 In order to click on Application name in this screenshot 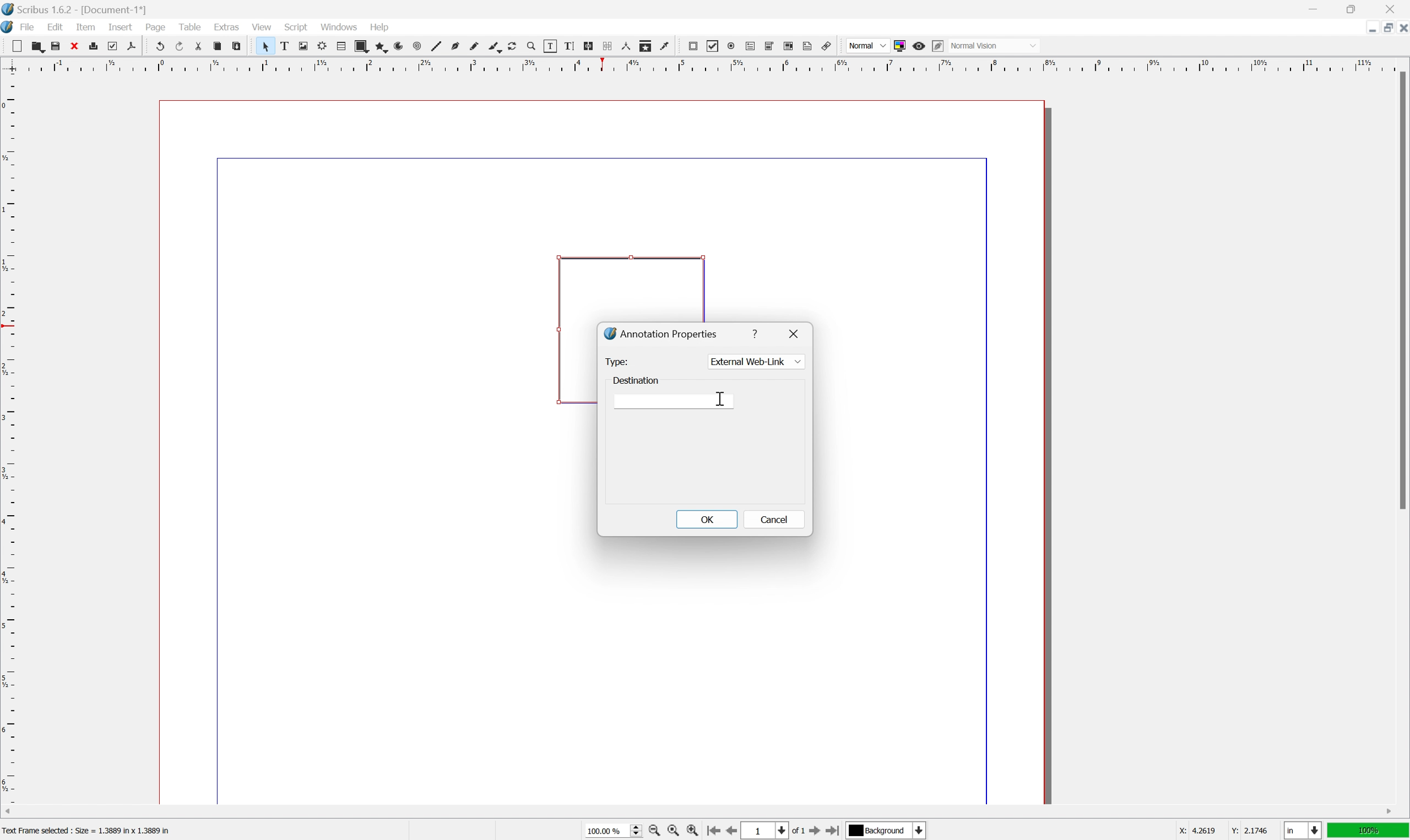, I will do `click(75, 9)`.